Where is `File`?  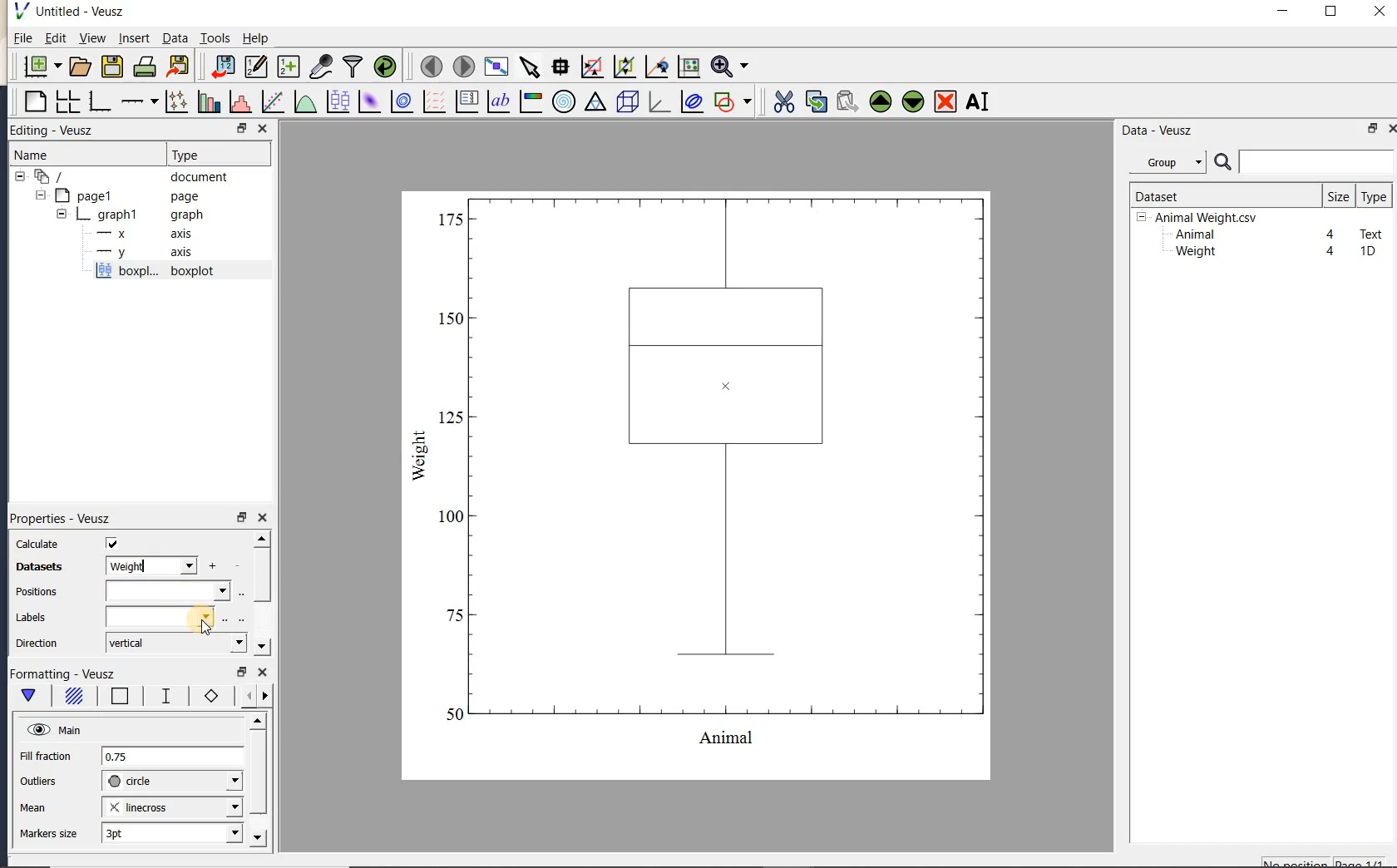 File is located at coordinates (23, 38).